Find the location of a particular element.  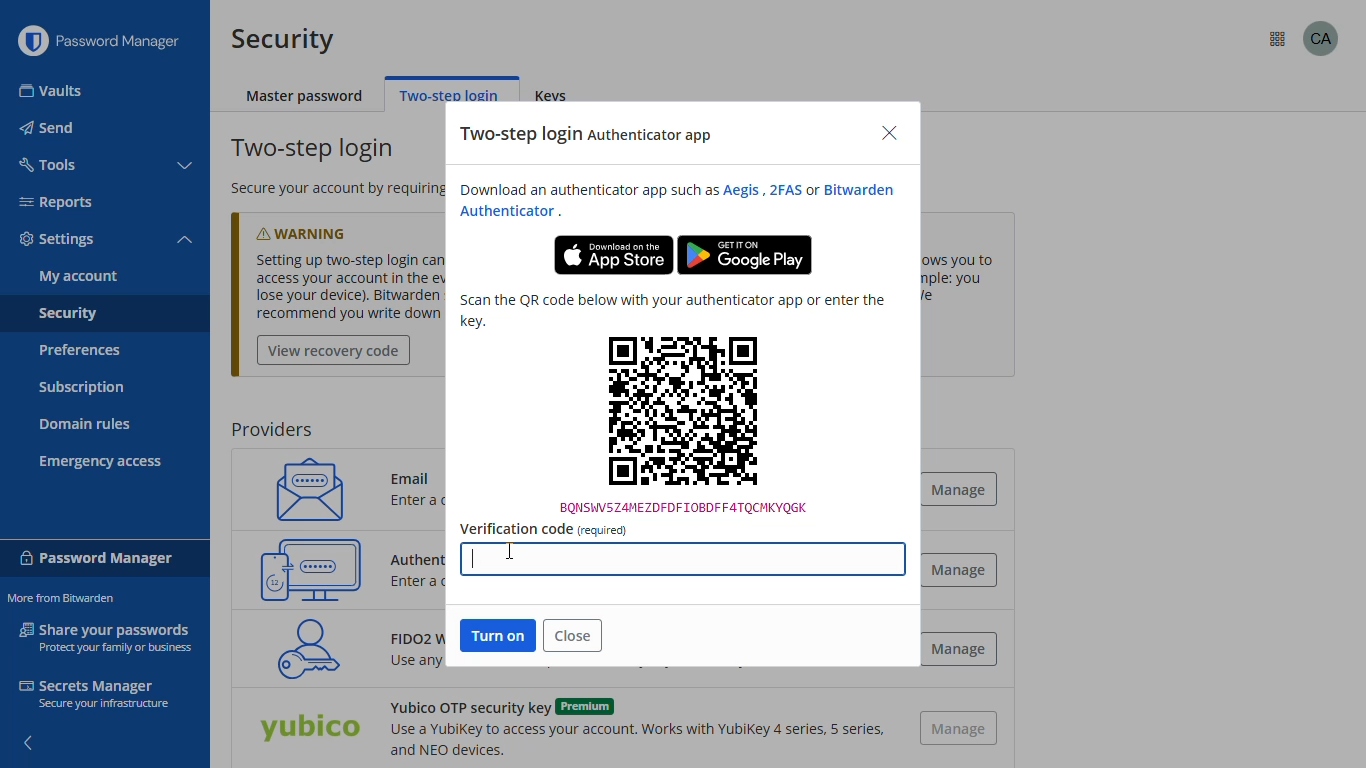

download on the app store is located at coordinates (613, 255).